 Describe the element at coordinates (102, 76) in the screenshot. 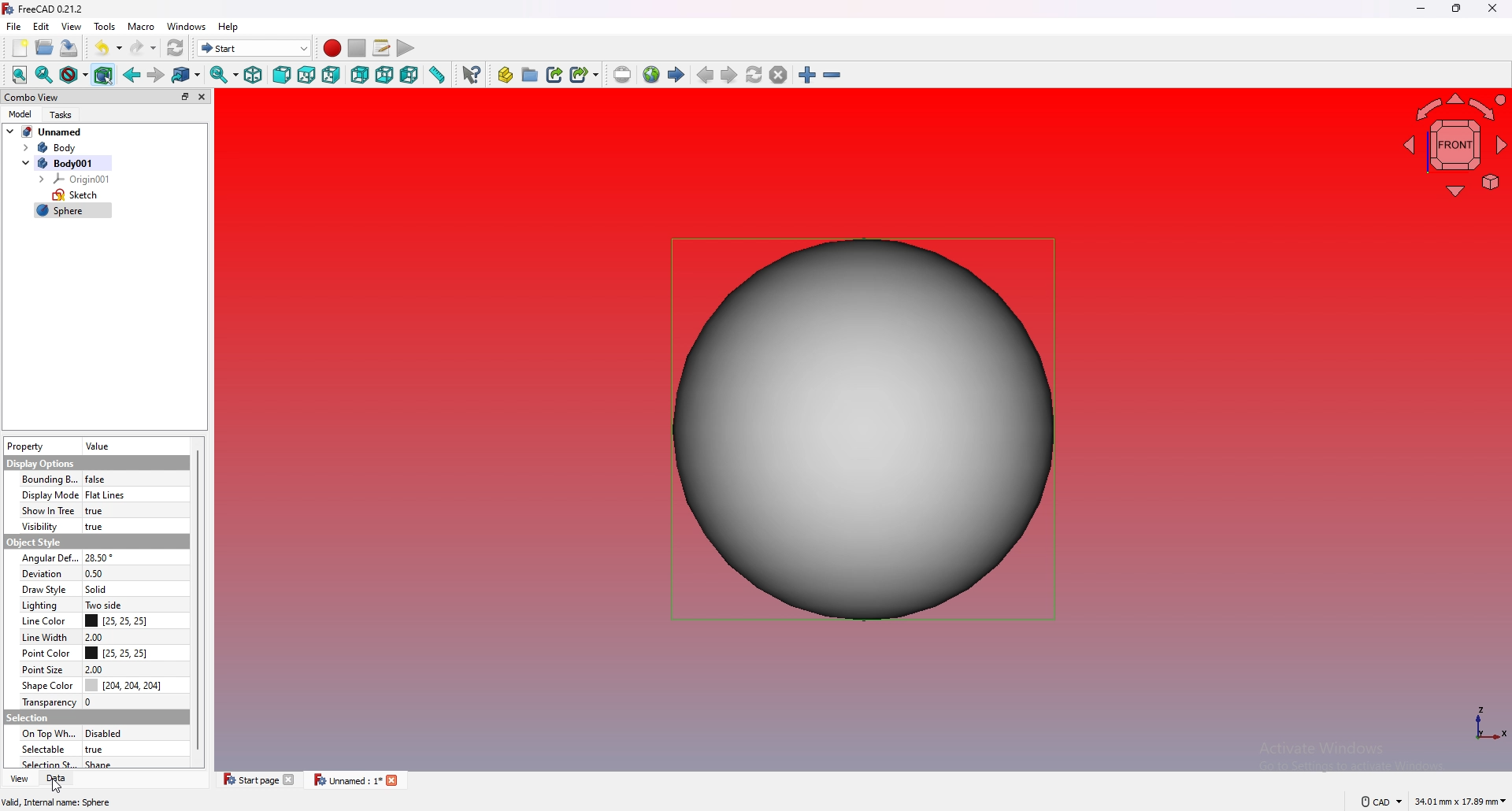

I see `selection filter` at that location.